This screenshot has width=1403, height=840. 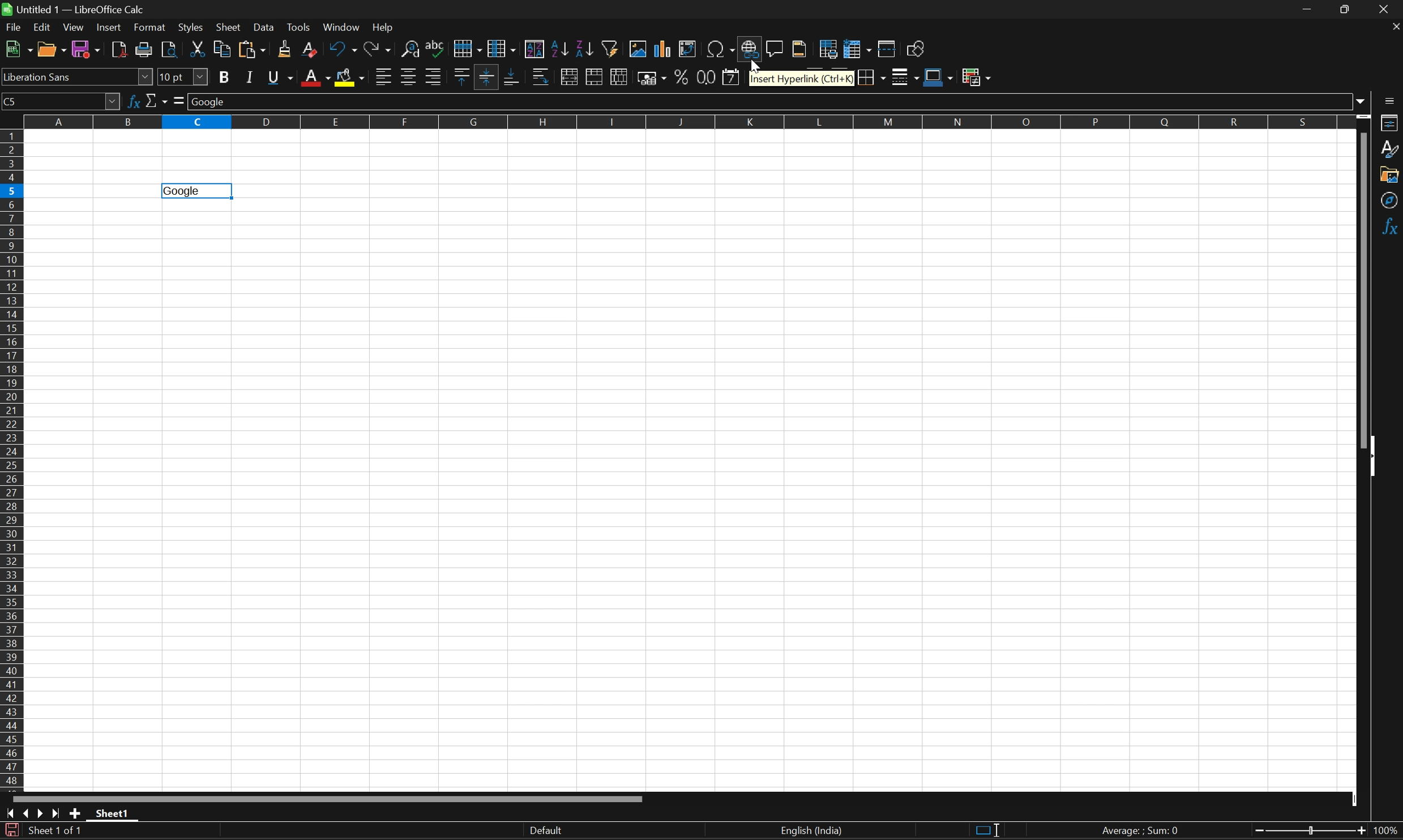 I want to click on Scroll bar, so click(x=1363, y=288).